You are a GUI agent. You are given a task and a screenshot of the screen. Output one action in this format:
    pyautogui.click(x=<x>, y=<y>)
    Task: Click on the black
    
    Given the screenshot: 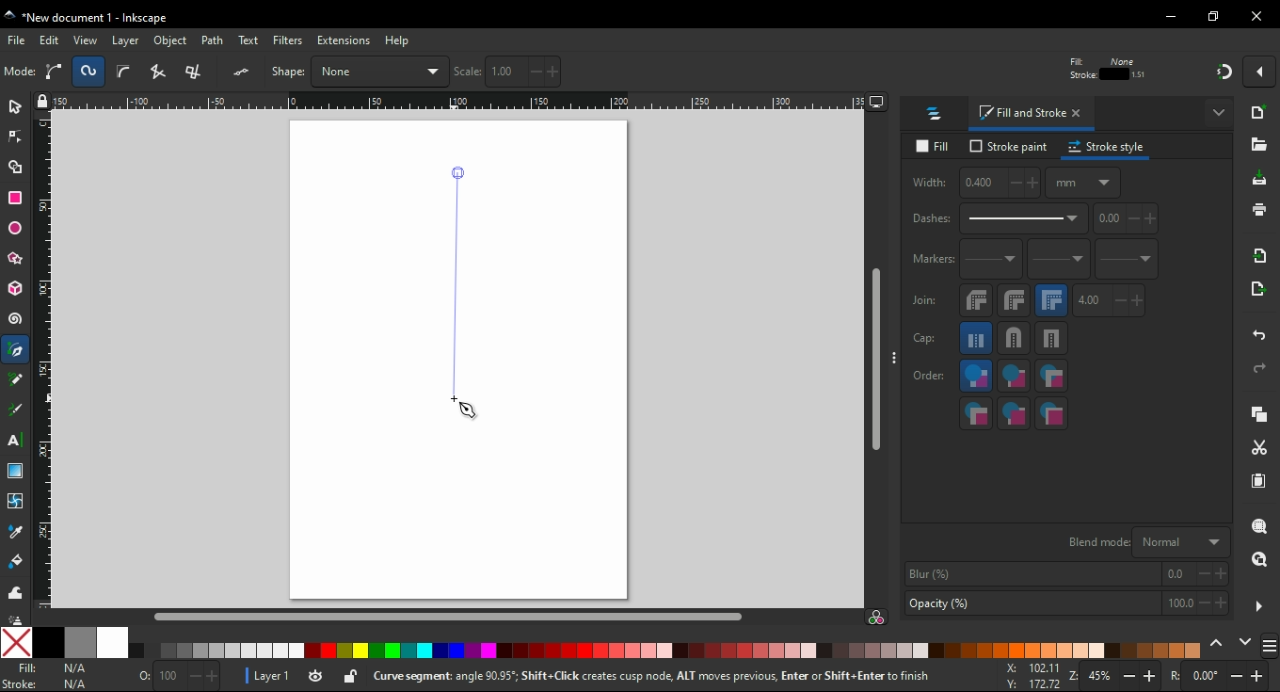 What is the action you would take?
    pyautogui.click(x=47, y=642)
    